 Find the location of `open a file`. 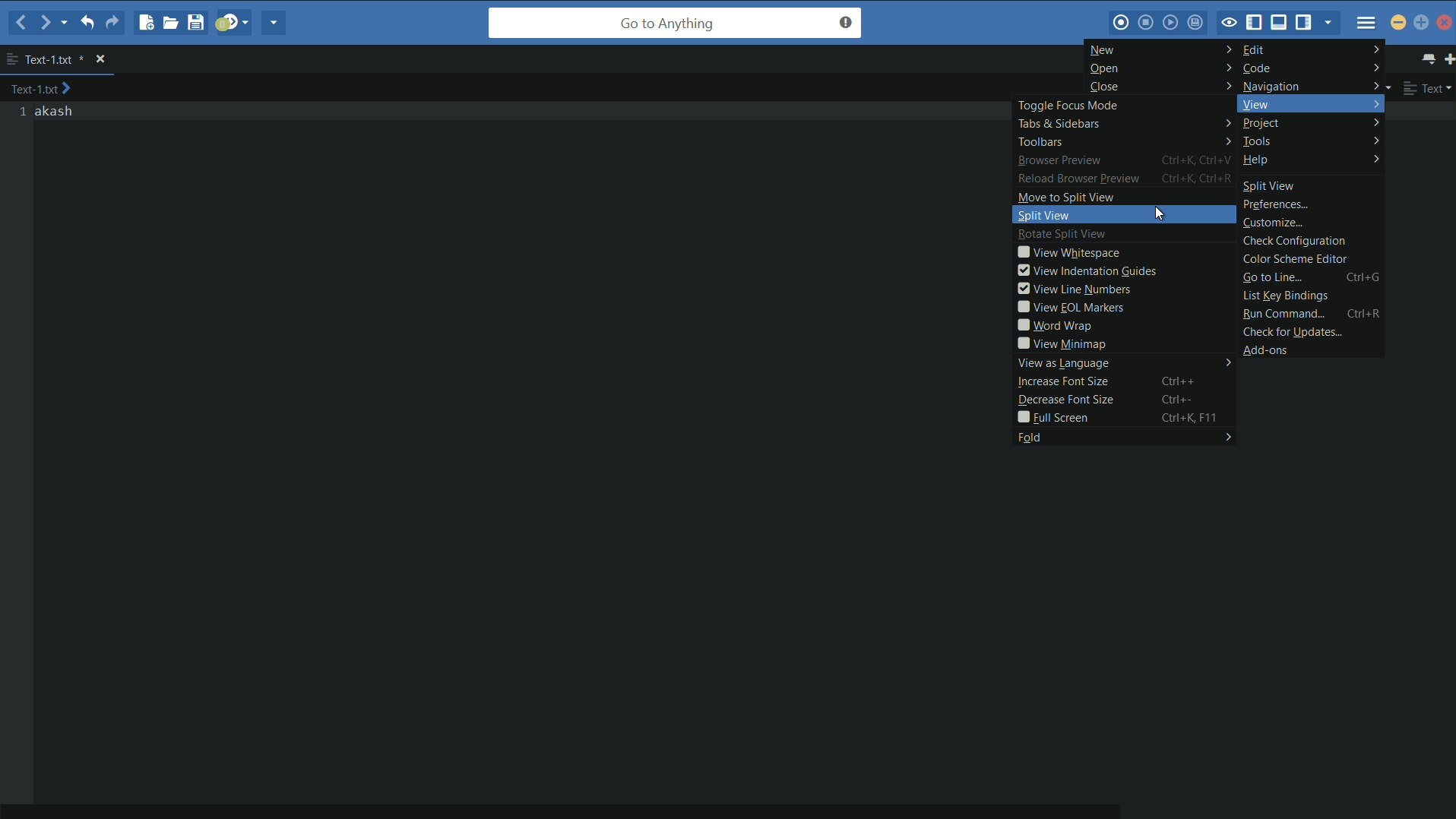

open a file is located at coordinates (172, 22).